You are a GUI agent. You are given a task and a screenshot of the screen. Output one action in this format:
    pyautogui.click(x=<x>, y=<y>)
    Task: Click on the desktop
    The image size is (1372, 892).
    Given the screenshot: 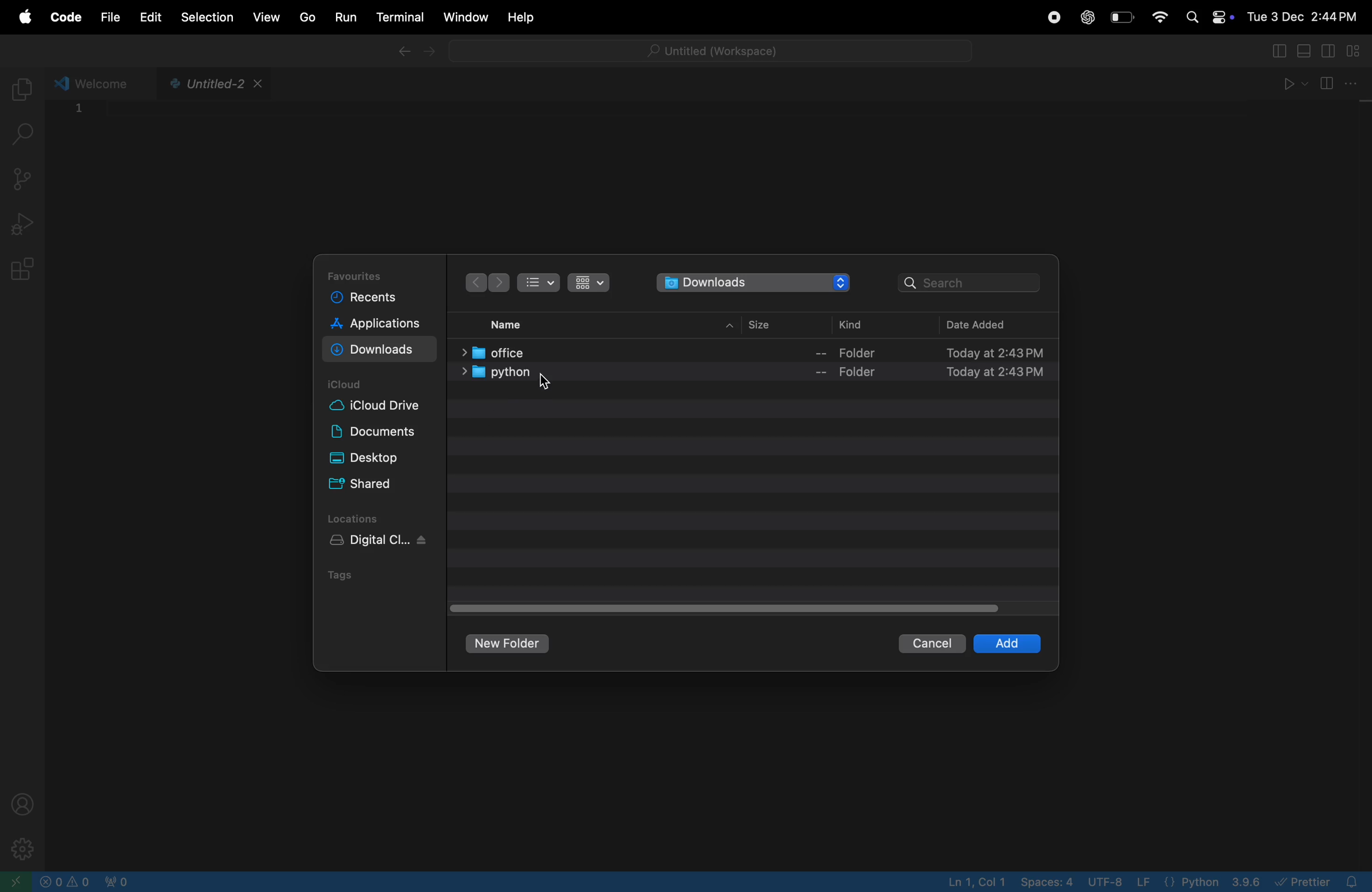 What is the action you would take?
    pyautogui.click(x=377, y=460)
    